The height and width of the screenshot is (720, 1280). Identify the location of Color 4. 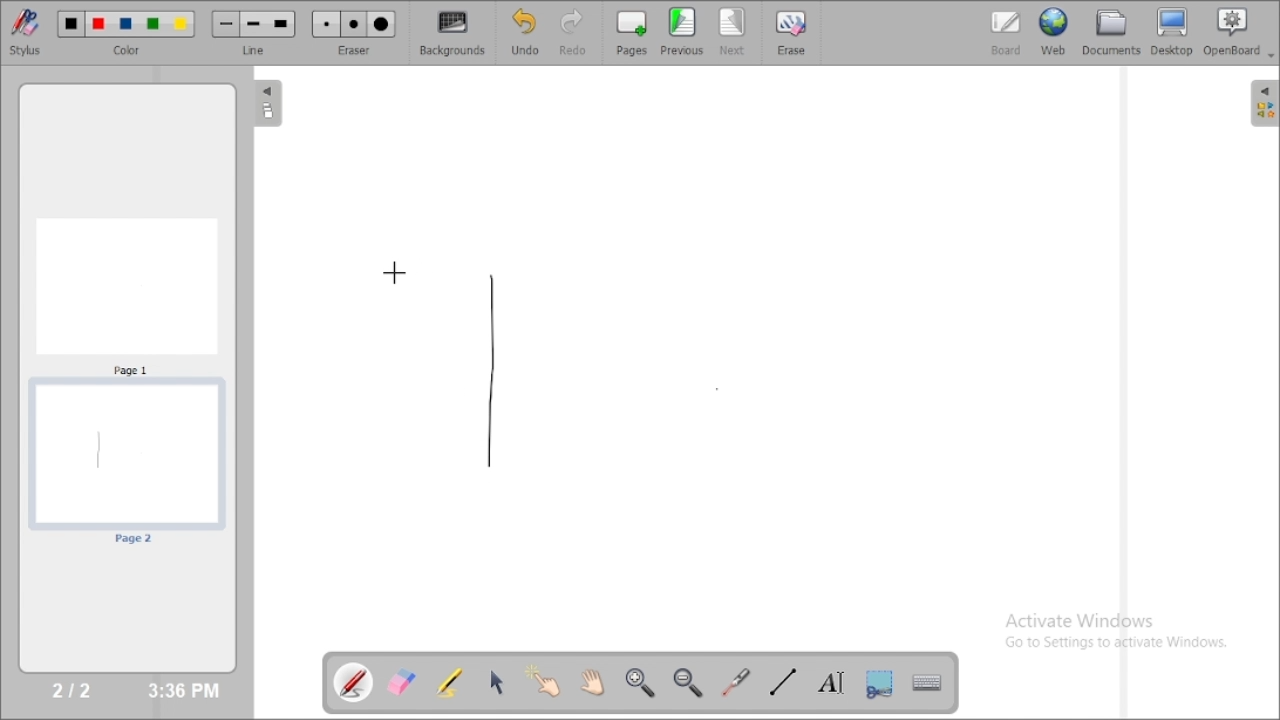
(153, 25).